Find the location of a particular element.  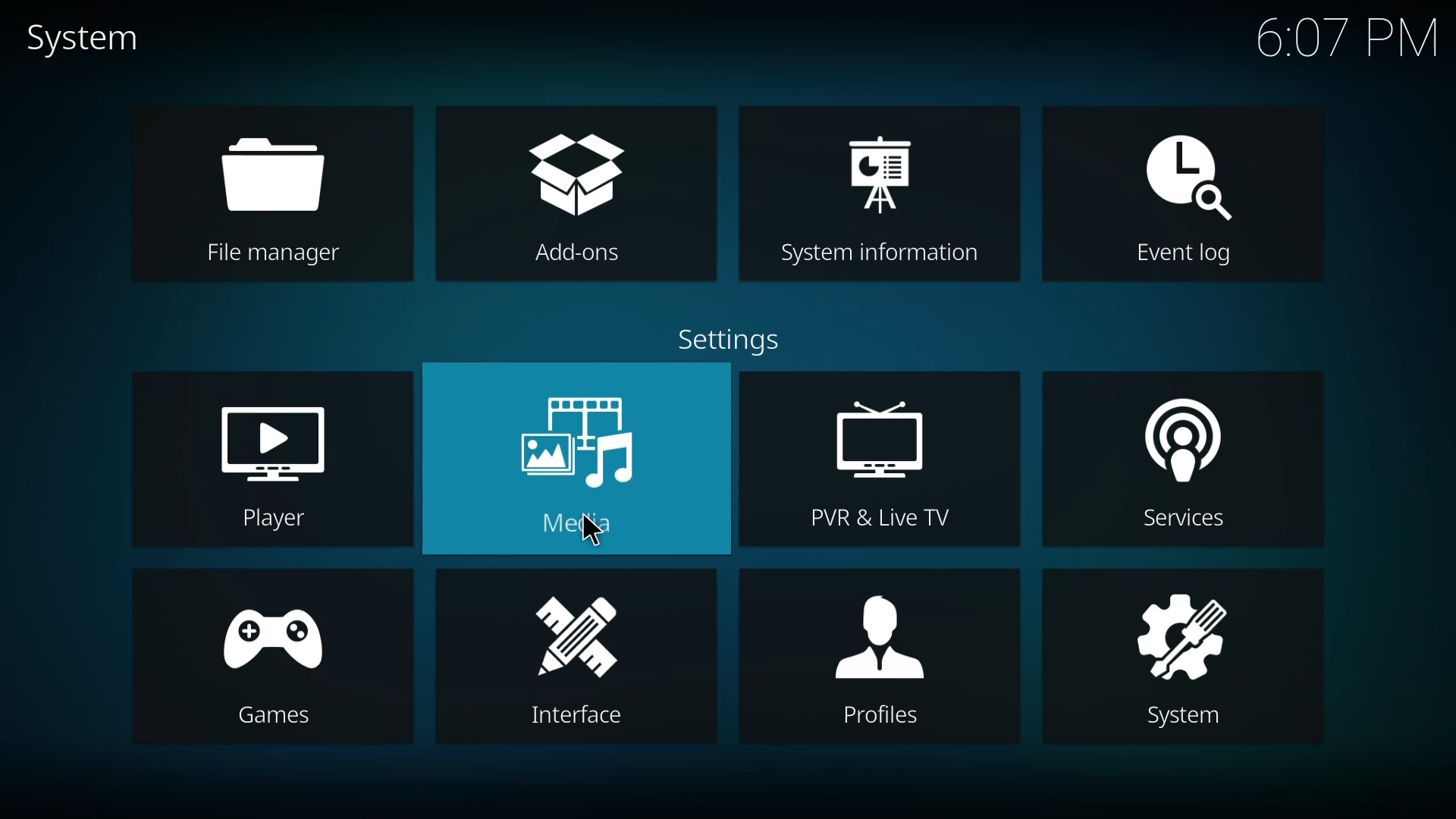

games is located at coordinates (266, 629).